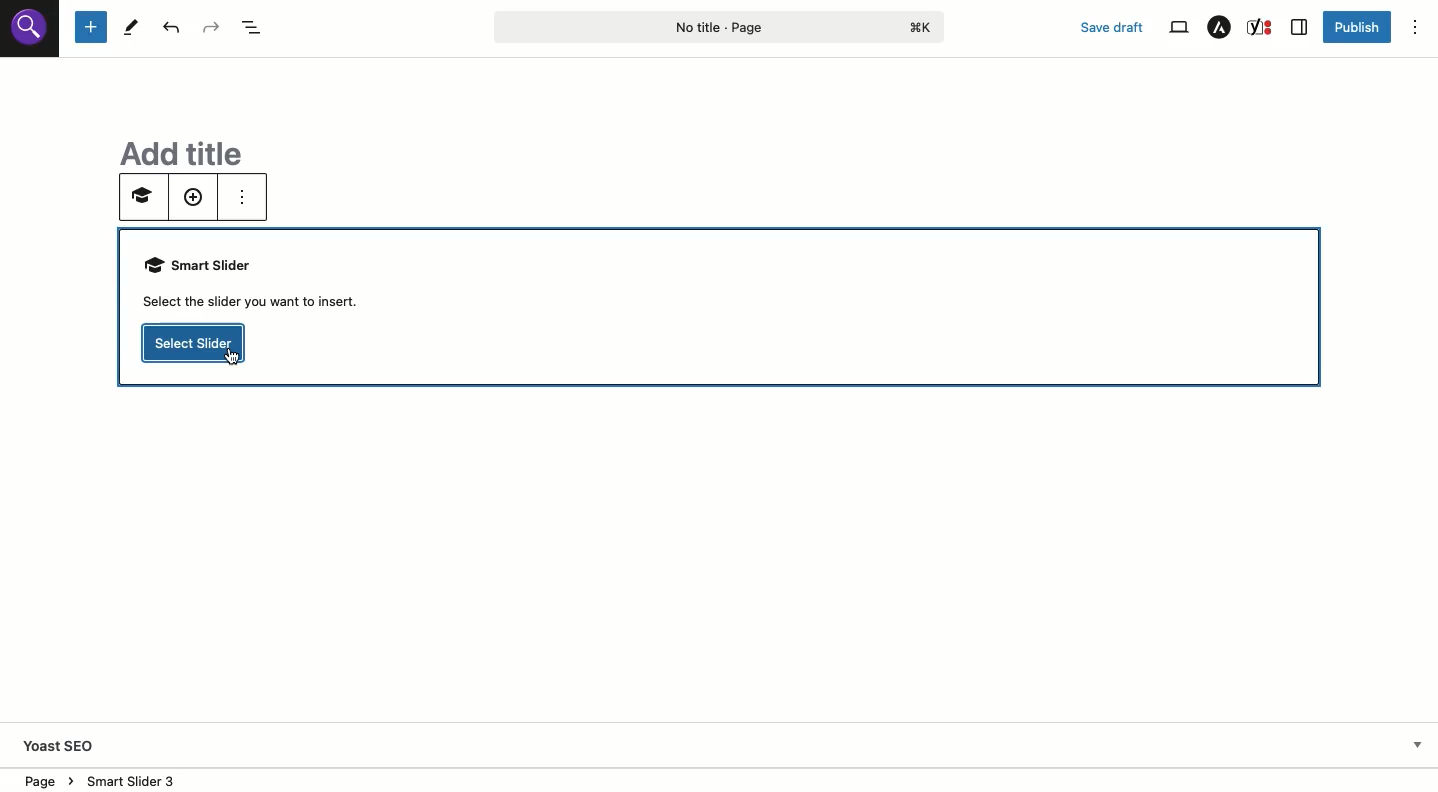 Image resolution: width=1438 pixels, height=792 pixels. Describe the element at coordinates (1415, 27) in the screenshot. I see `Options` at that location.